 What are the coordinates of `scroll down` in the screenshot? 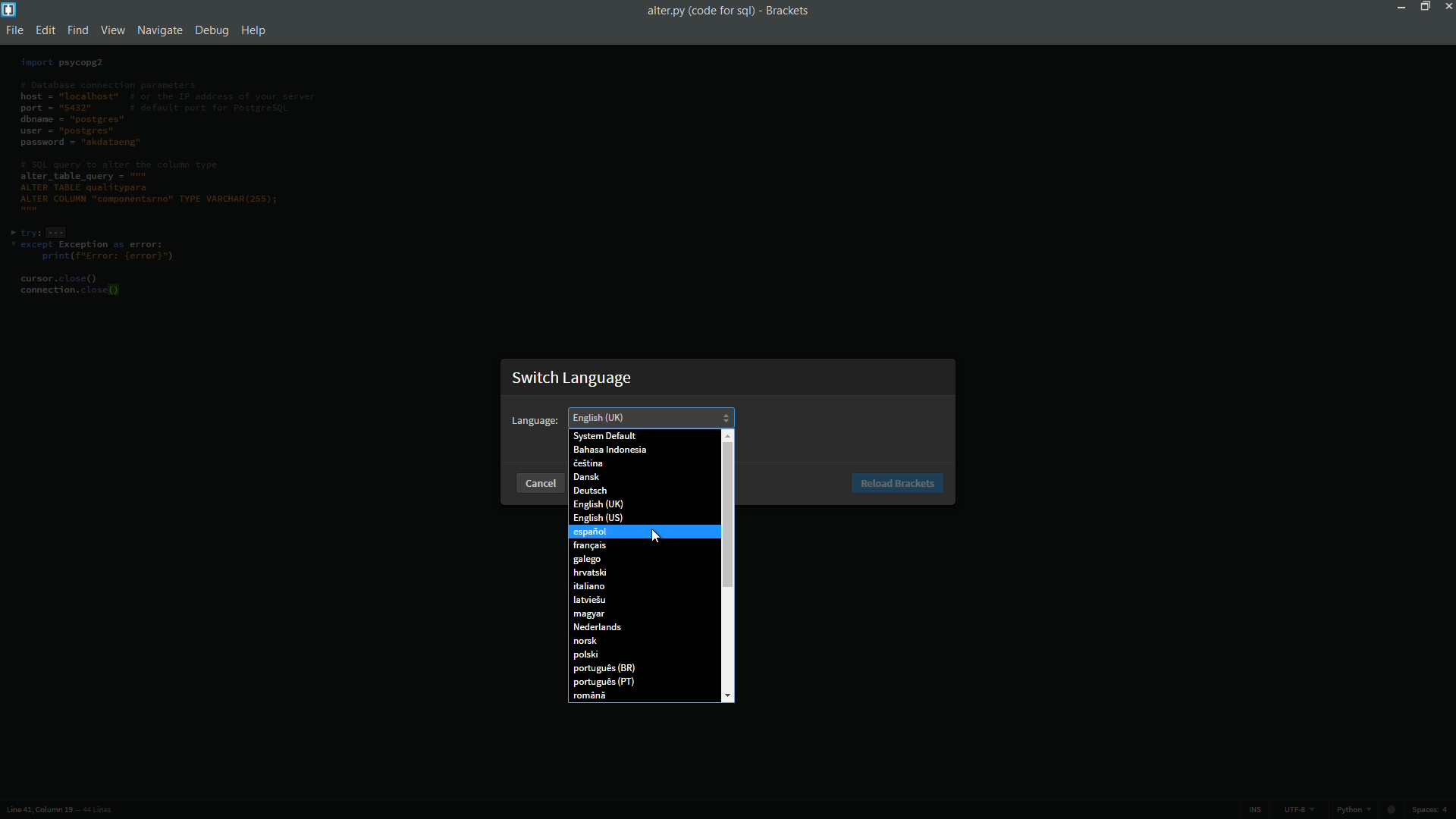 It's located at (727, 696).